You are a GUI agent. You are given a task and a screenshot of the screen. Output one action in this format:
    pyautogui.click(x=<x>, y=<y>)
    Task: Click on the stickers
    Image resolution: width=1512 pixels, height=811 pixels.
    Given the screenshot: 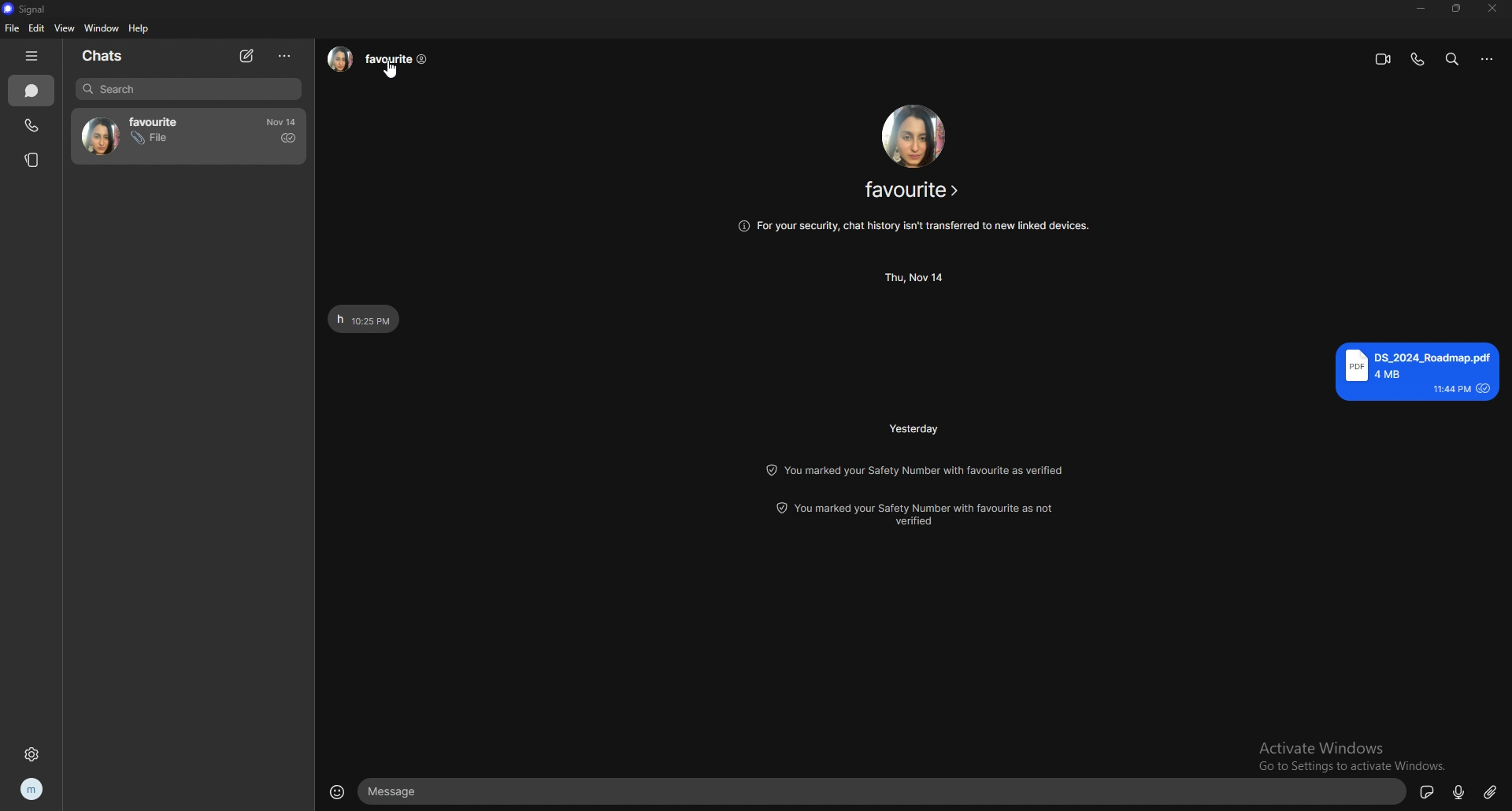 What is the action you would take?
    pyautogui.click(x=1426, y=791)
    